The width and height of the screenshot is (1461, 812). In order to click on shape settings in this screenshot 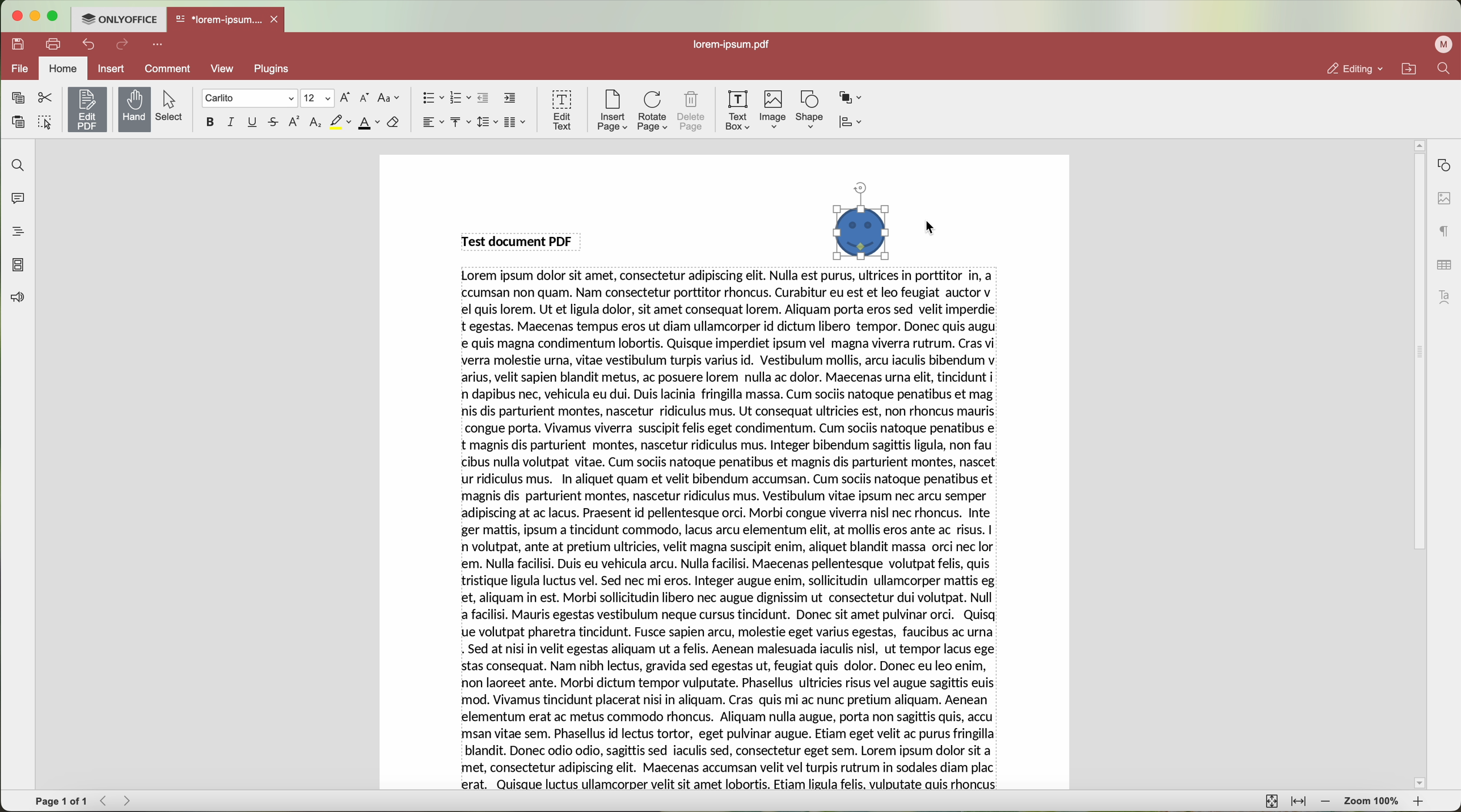, I will do `click(1444, 165)`.